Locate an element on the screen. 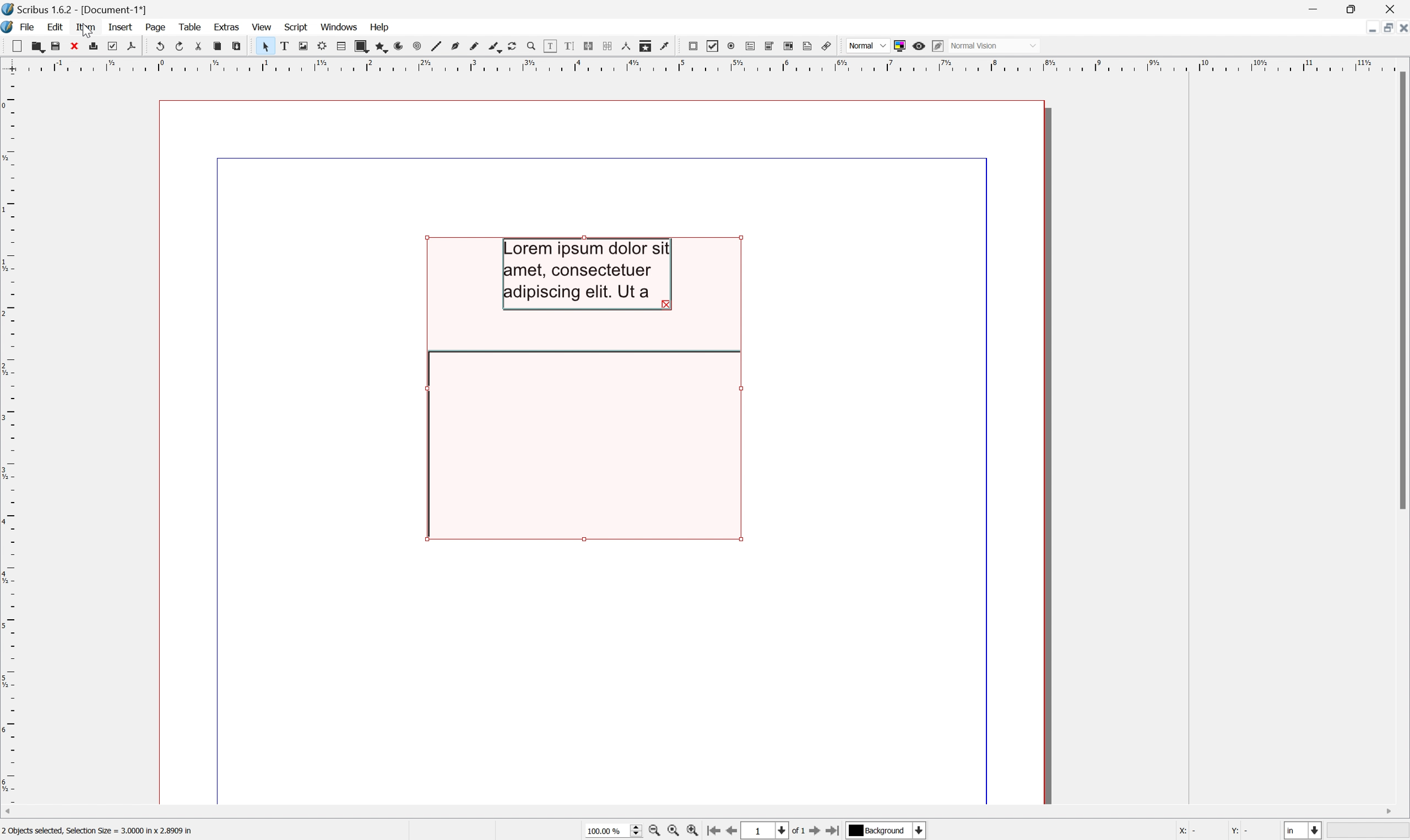 The height and width of the screenshot is (840, 1410). Copy item properties is located at coordinates (646, 46).